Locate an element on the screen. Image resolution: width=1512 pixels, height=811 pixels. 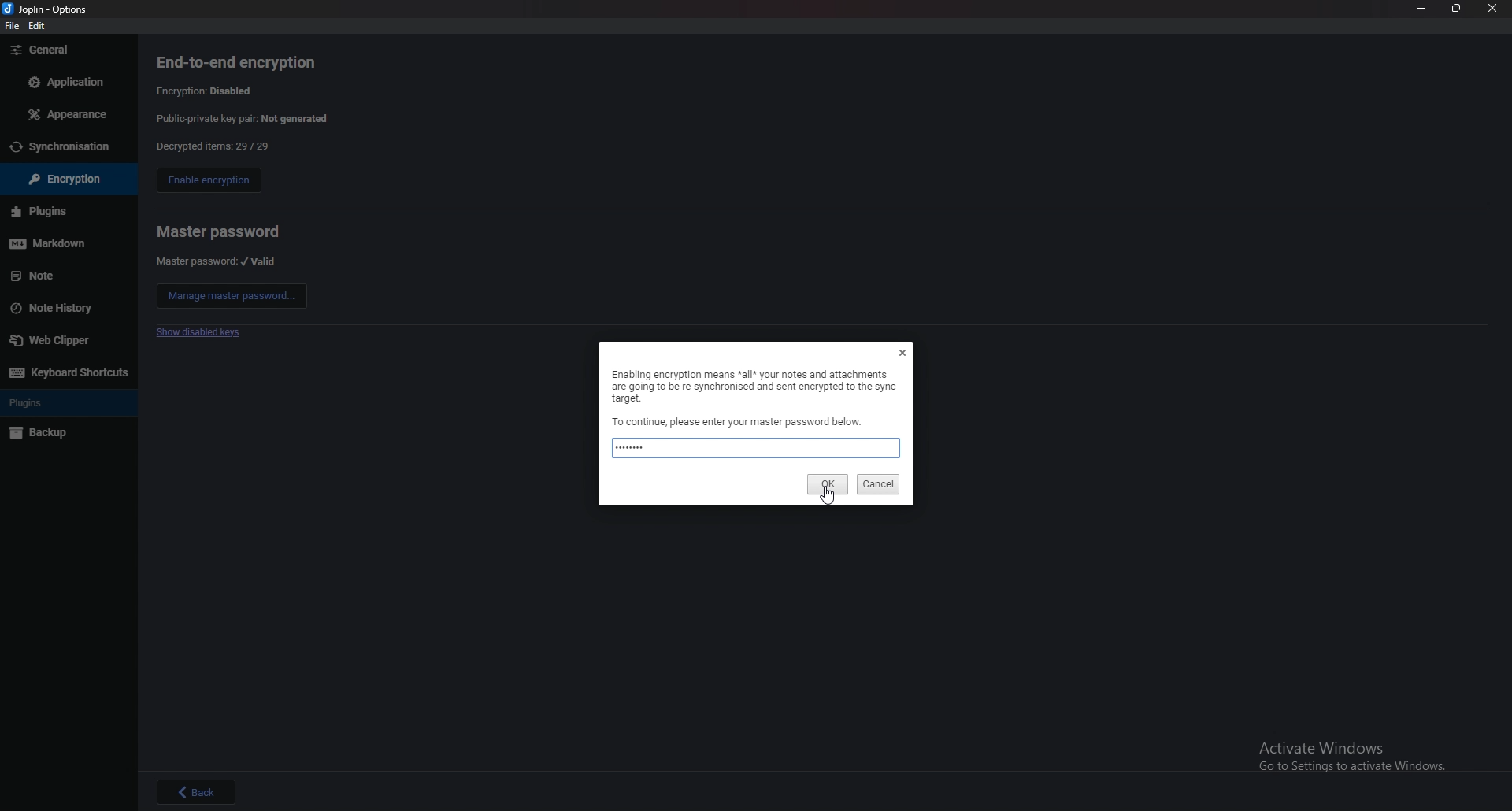
 is located at coordinates (43, 213).